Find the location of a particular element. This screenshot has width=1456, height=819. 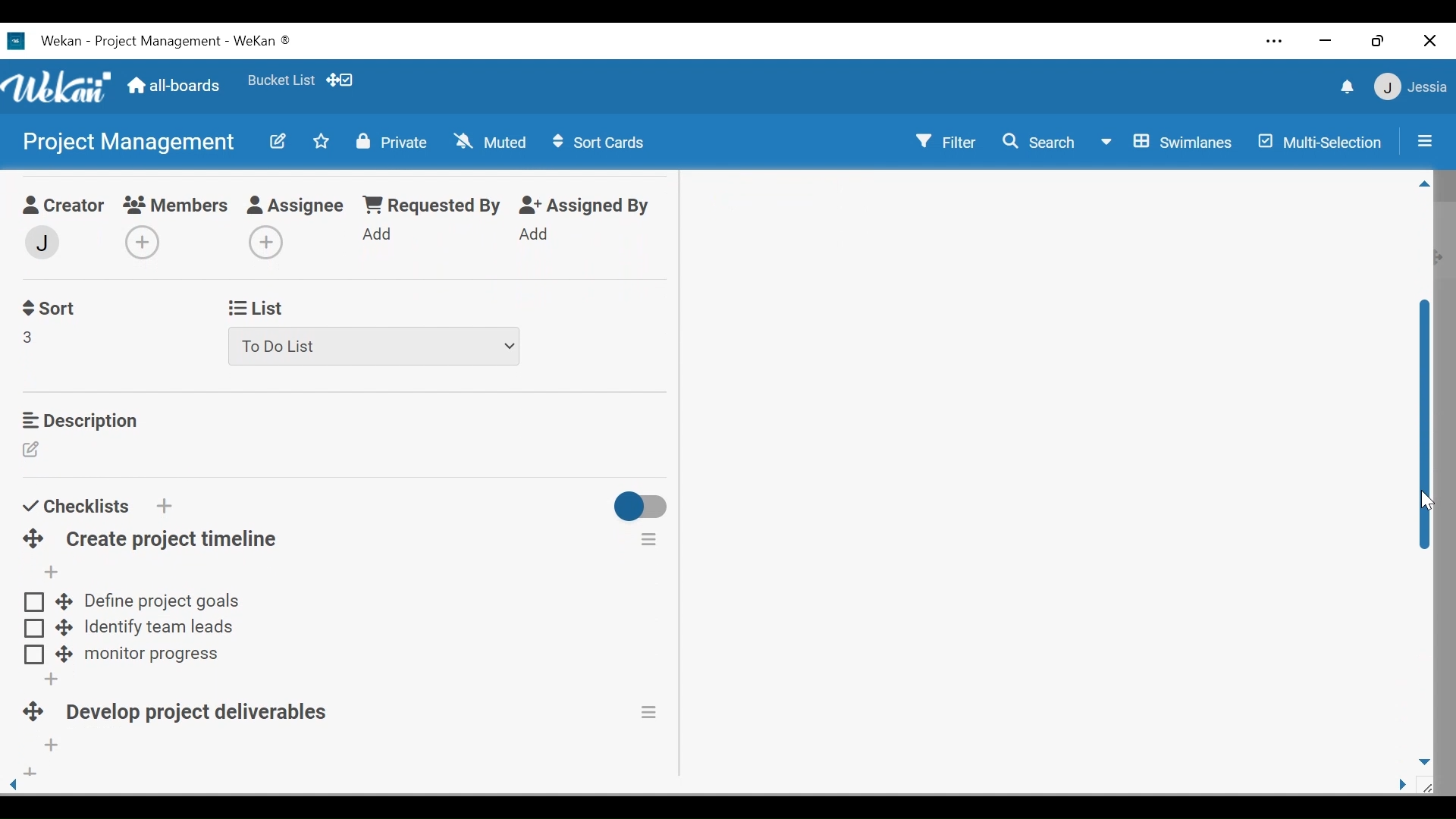

Field is located at coordinates (29, 337).